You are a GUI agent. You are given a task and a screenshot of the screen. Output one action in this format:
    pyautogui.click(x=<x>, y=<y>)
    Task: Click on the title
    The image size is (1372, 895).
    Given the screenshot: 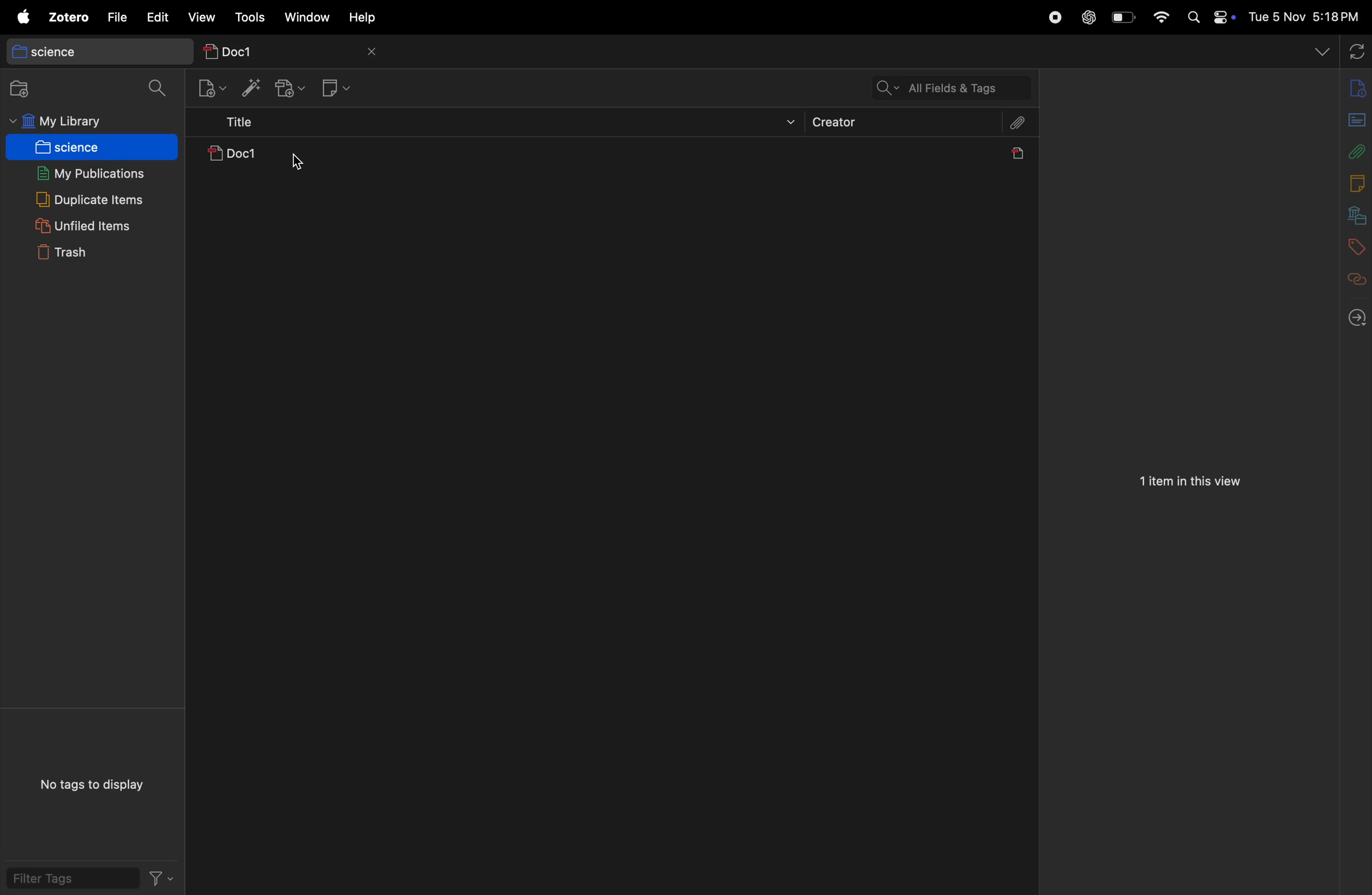 What is the action you would take?
    pyautogui.click(x=501, y=125)
    